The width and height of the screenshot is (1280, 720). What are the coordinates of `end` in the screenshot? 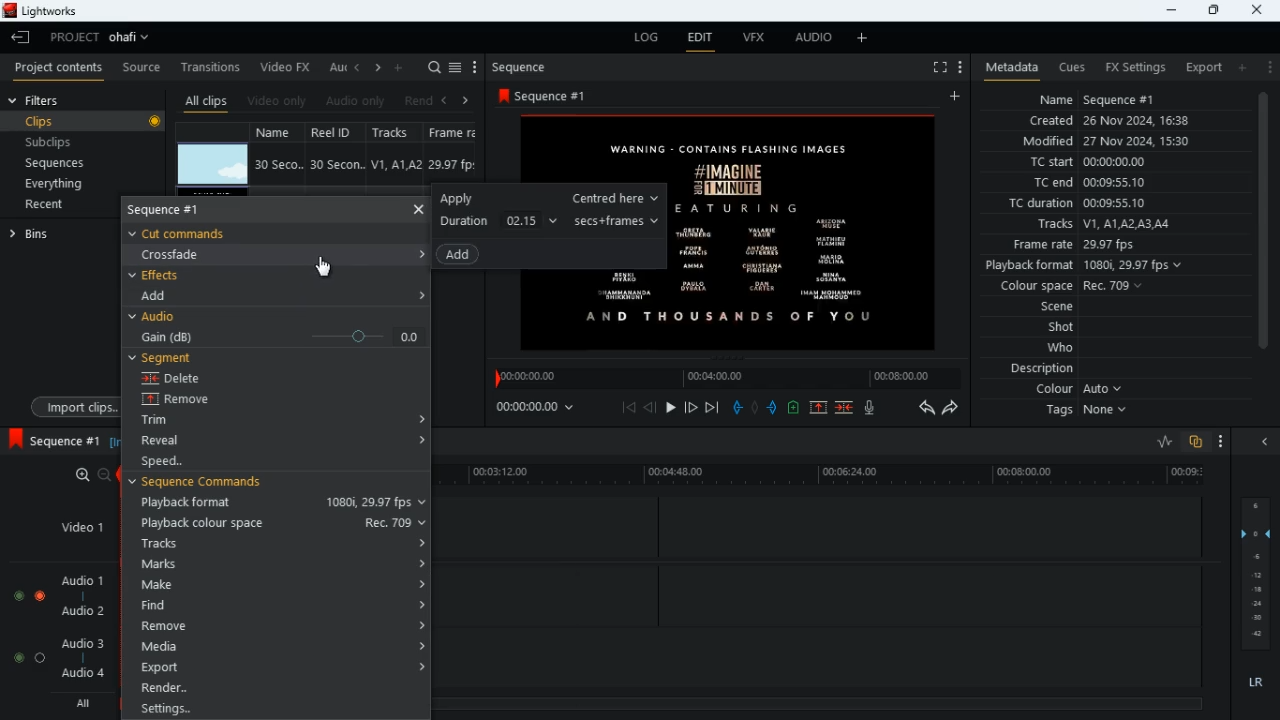 It's located at (714, 409).